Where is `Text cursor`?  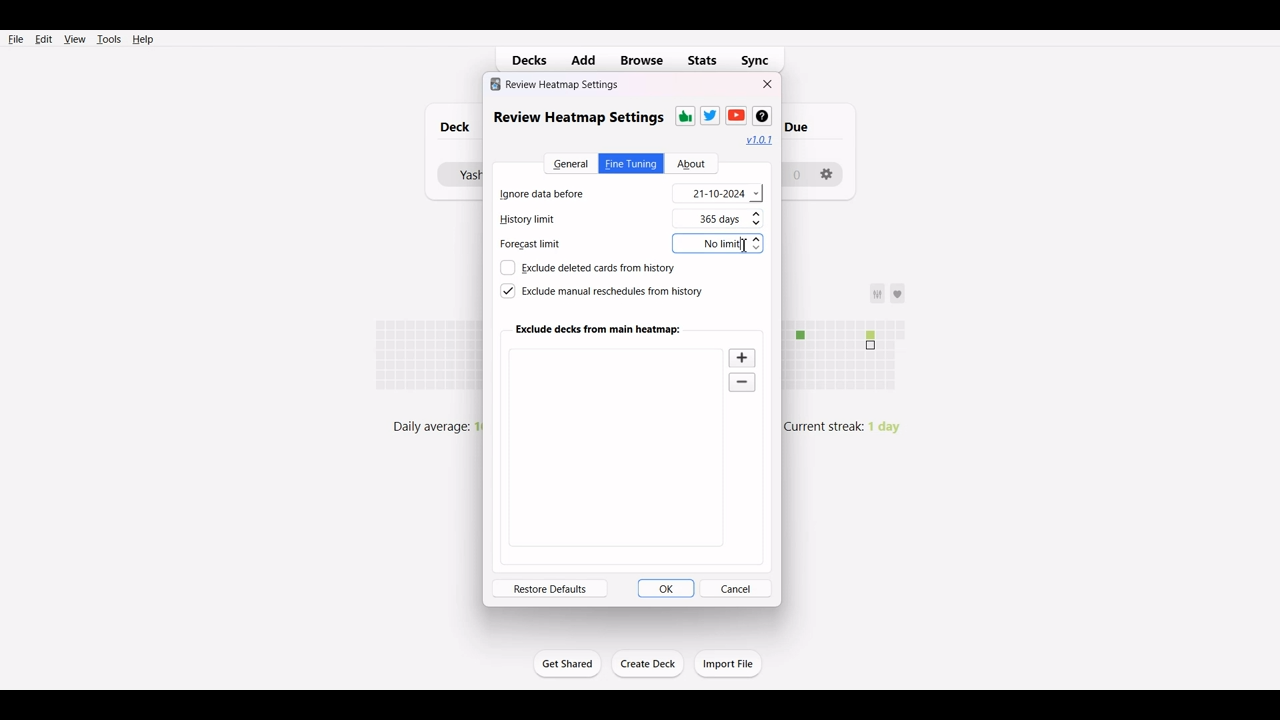
Text cursor is located at coordinates (745, 245).